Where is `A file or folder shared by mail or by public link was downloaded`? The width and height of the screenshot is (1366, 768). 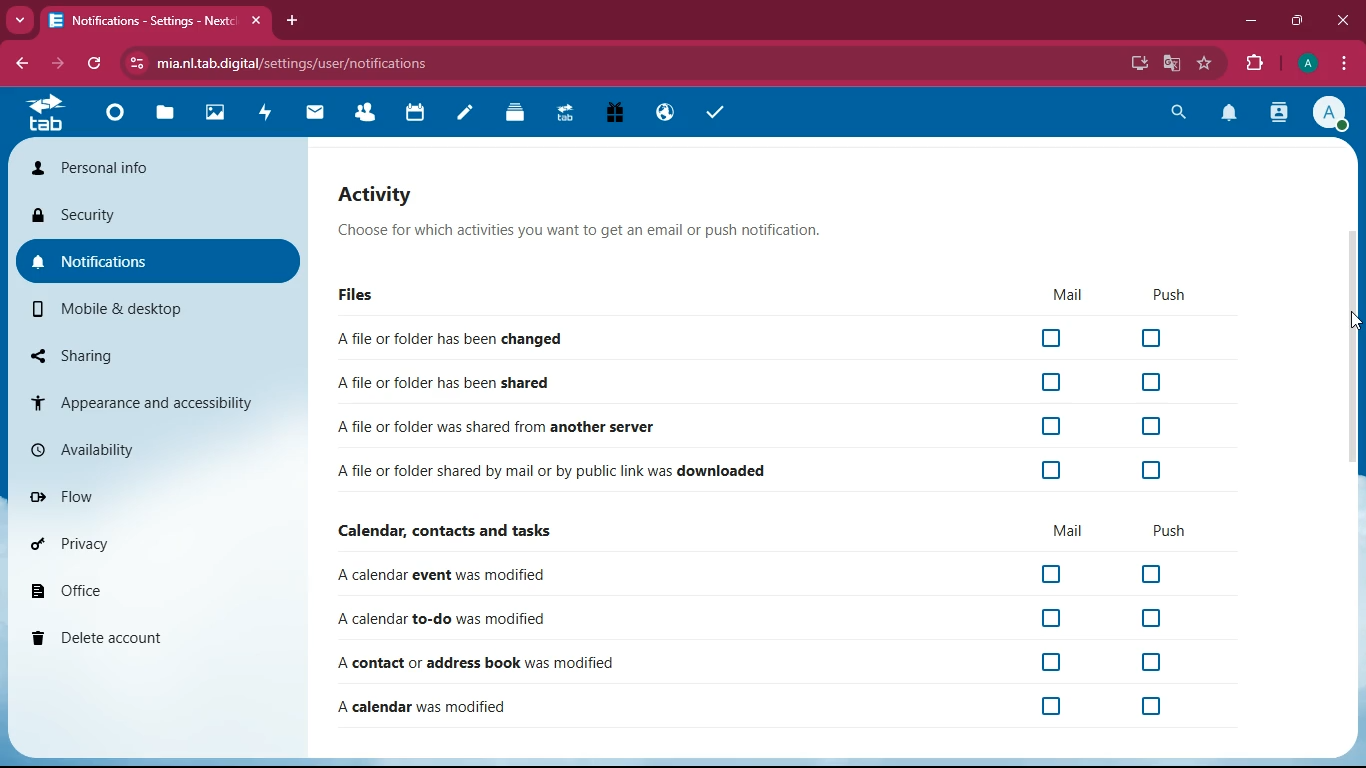 A file or folder shared by mail or by public link was downloaded is located at coordinates (754, 468).